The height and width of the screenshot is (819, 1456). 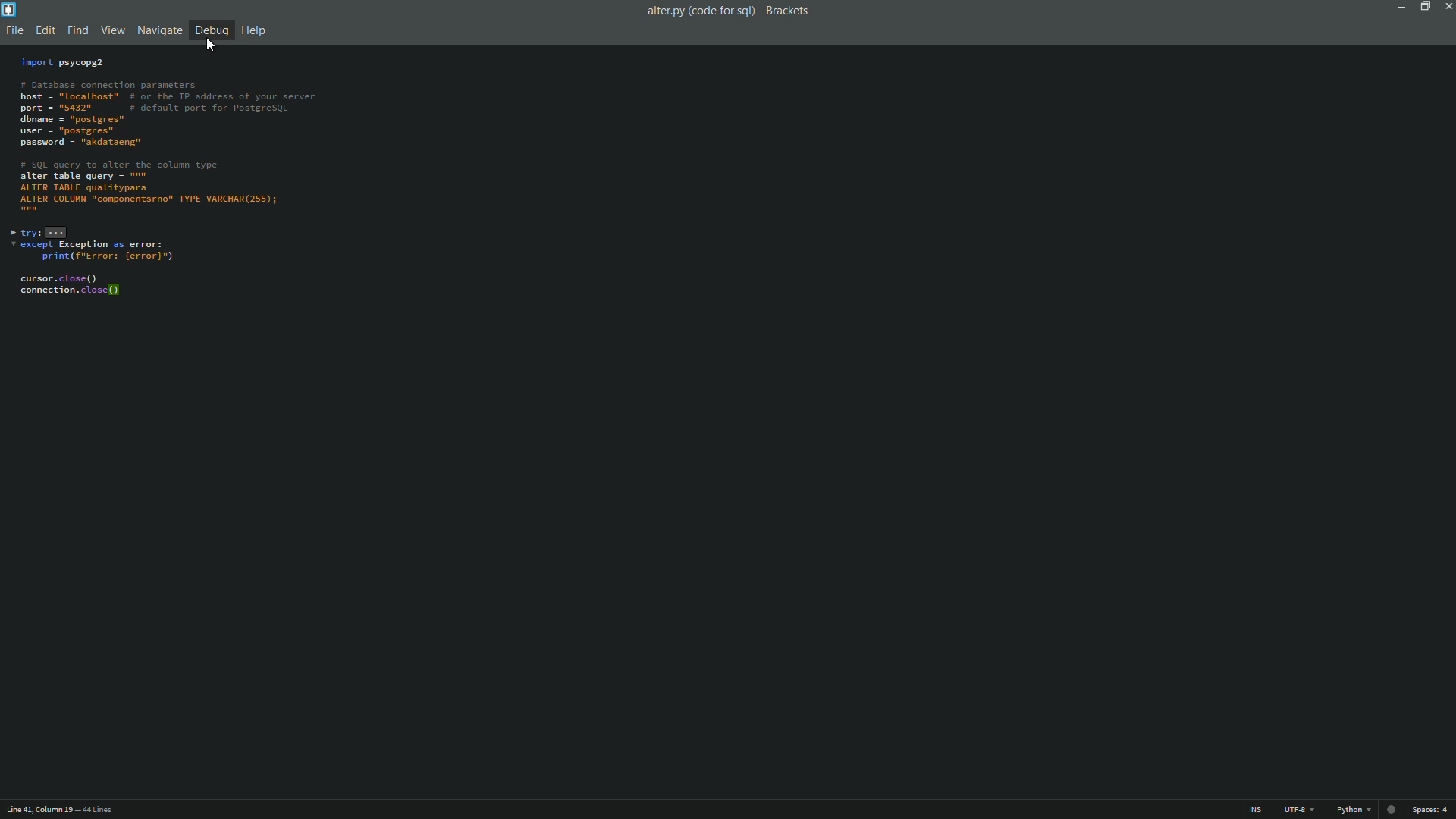 I want to click on Help menu, so click(x=256, y=30).